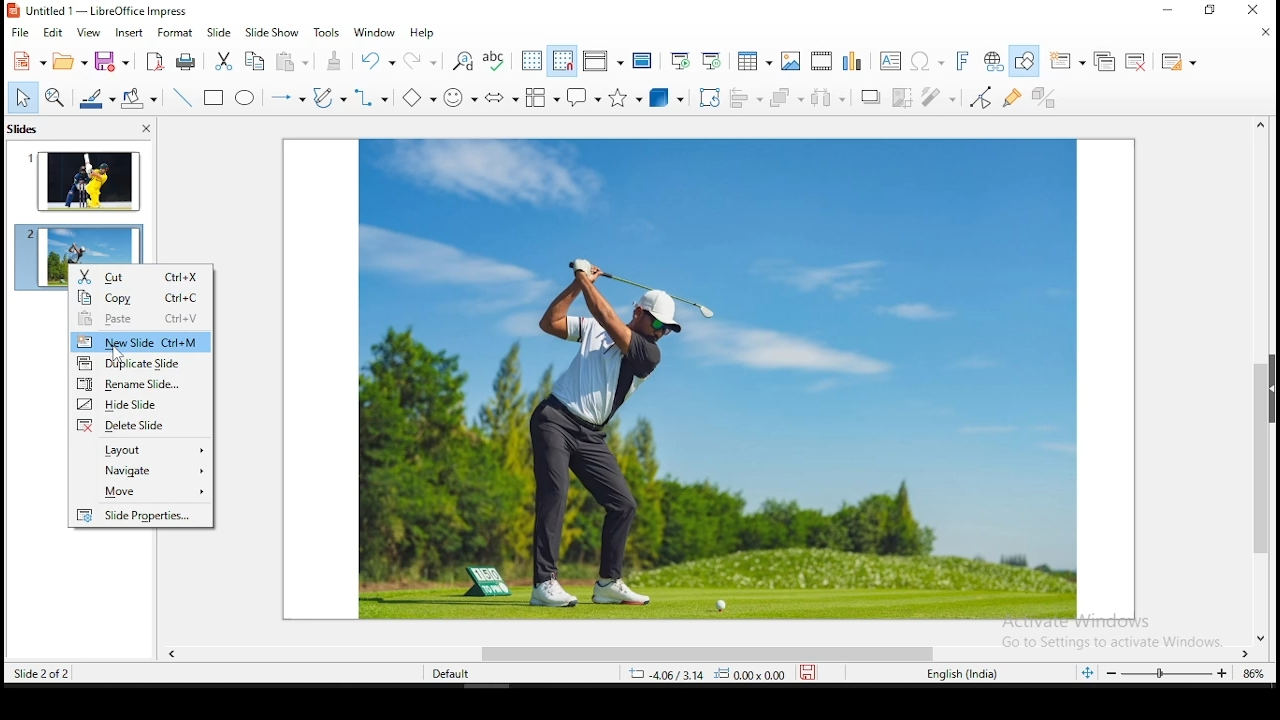  Describe the element at coordinates (289, 99) in the screenshot. I see `lines and arrows` at that location.